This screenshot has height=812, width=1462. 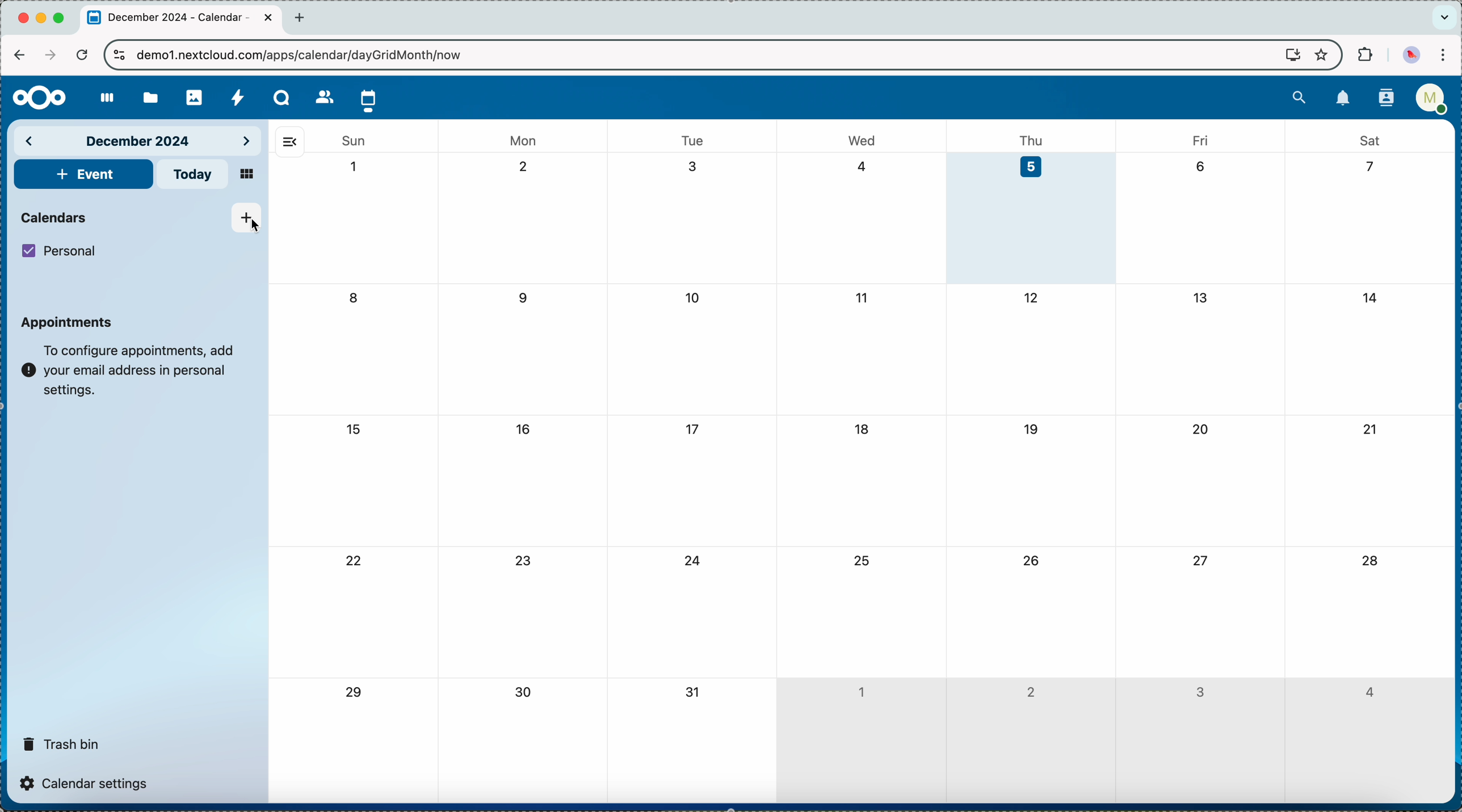 I want to click on favorites, so click(x=1320, y=54).